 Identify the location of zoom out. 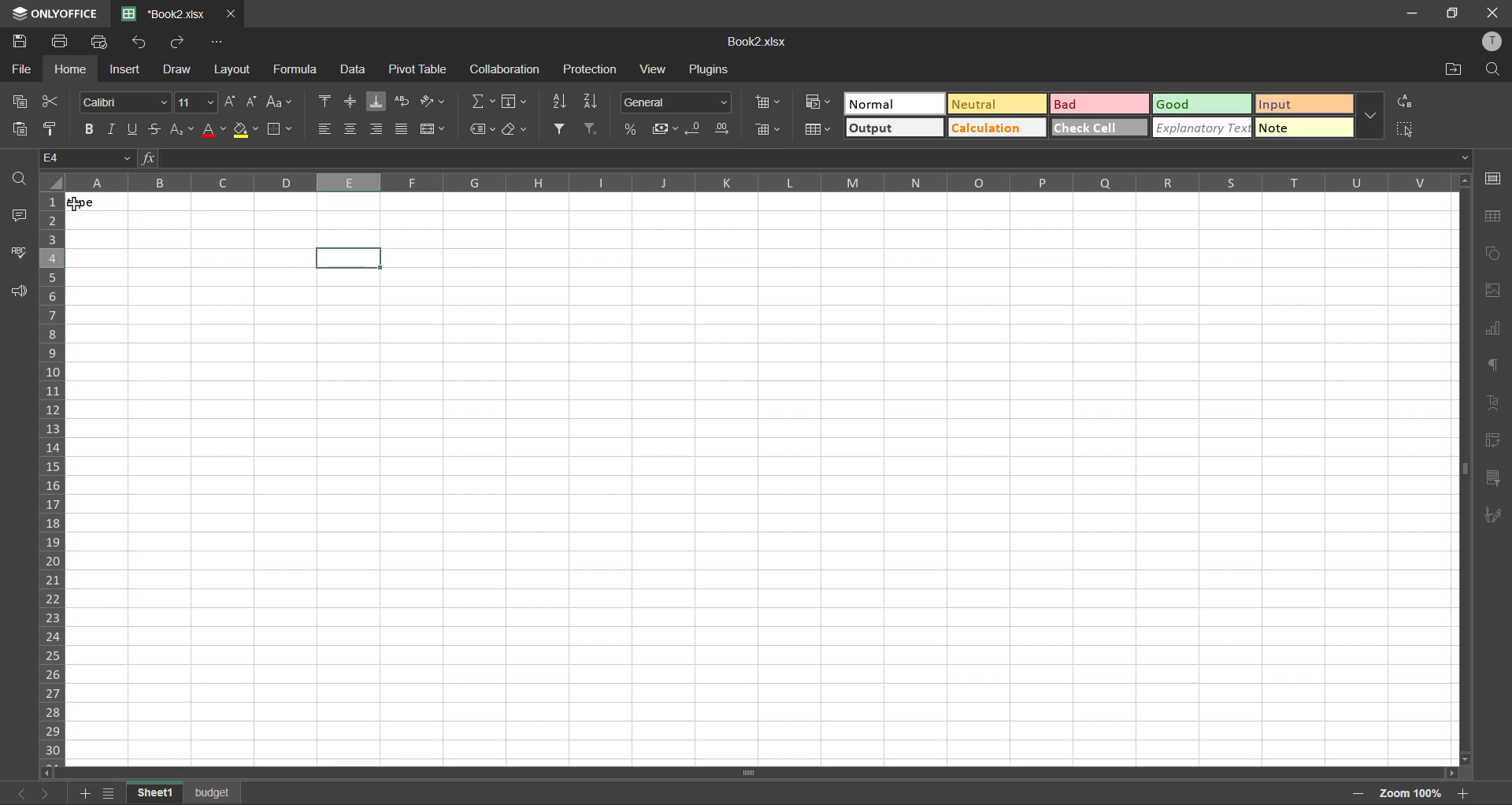
(1358, 795).